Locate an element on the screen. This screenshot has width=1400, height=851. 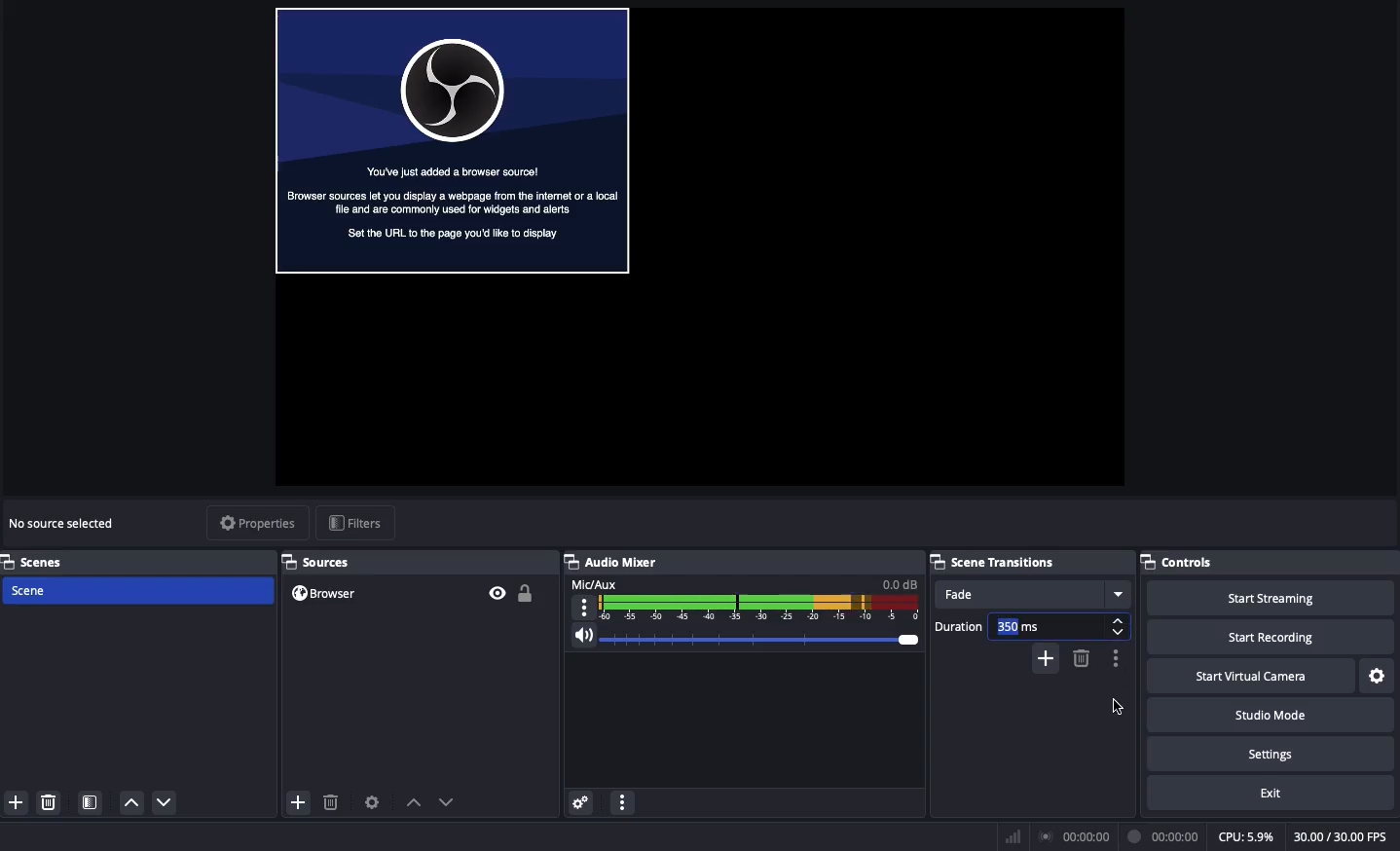
Start virtual camera is located at coordinates (1248, 678).